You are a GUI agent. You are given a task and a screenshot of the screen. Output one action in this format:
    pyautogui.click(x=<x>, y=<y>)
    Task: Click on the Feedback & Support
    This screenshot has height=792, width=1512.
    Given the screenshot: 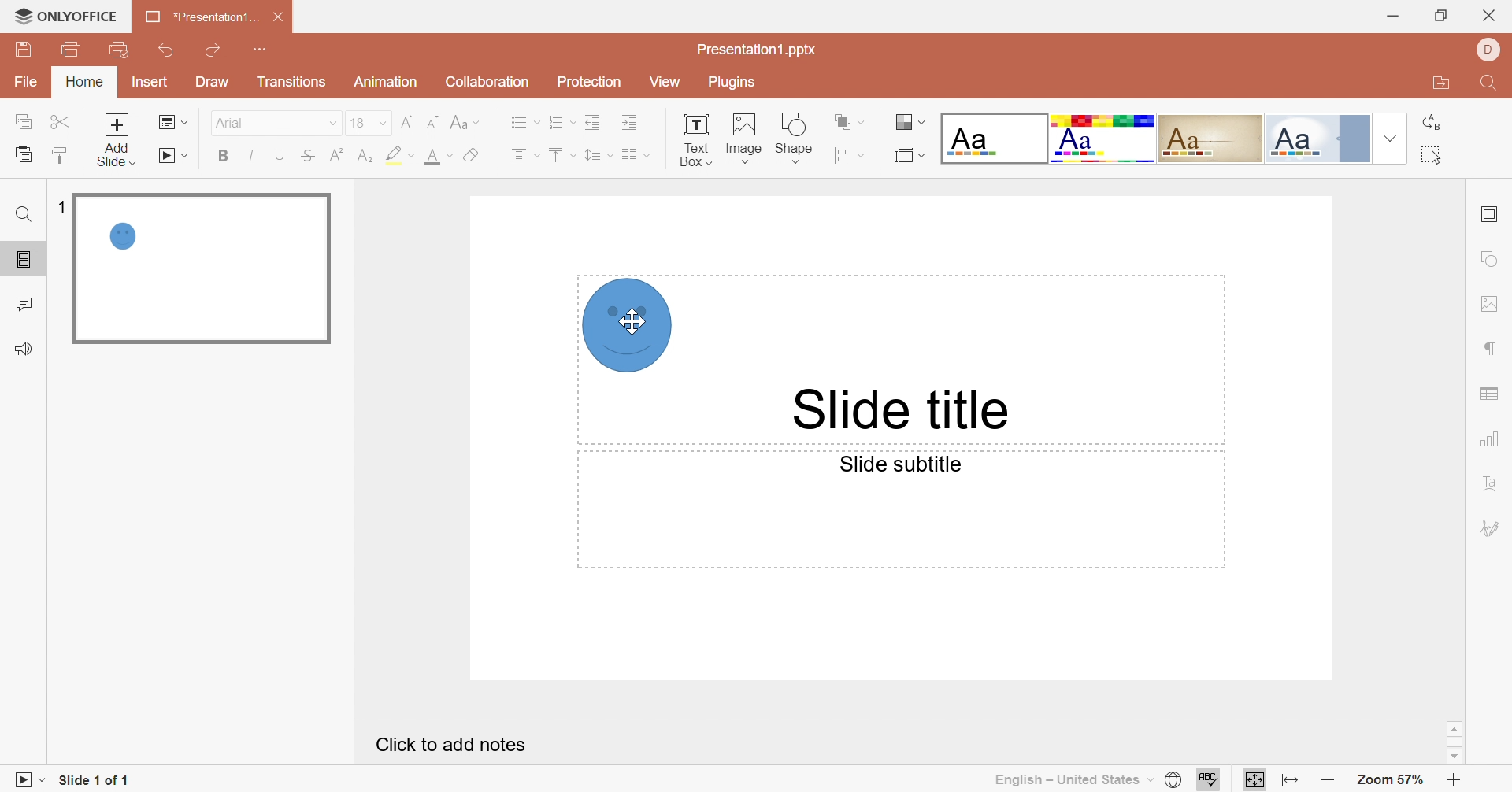 What is the action you would take?
    pyautogui.click(x=25, y=350)
    